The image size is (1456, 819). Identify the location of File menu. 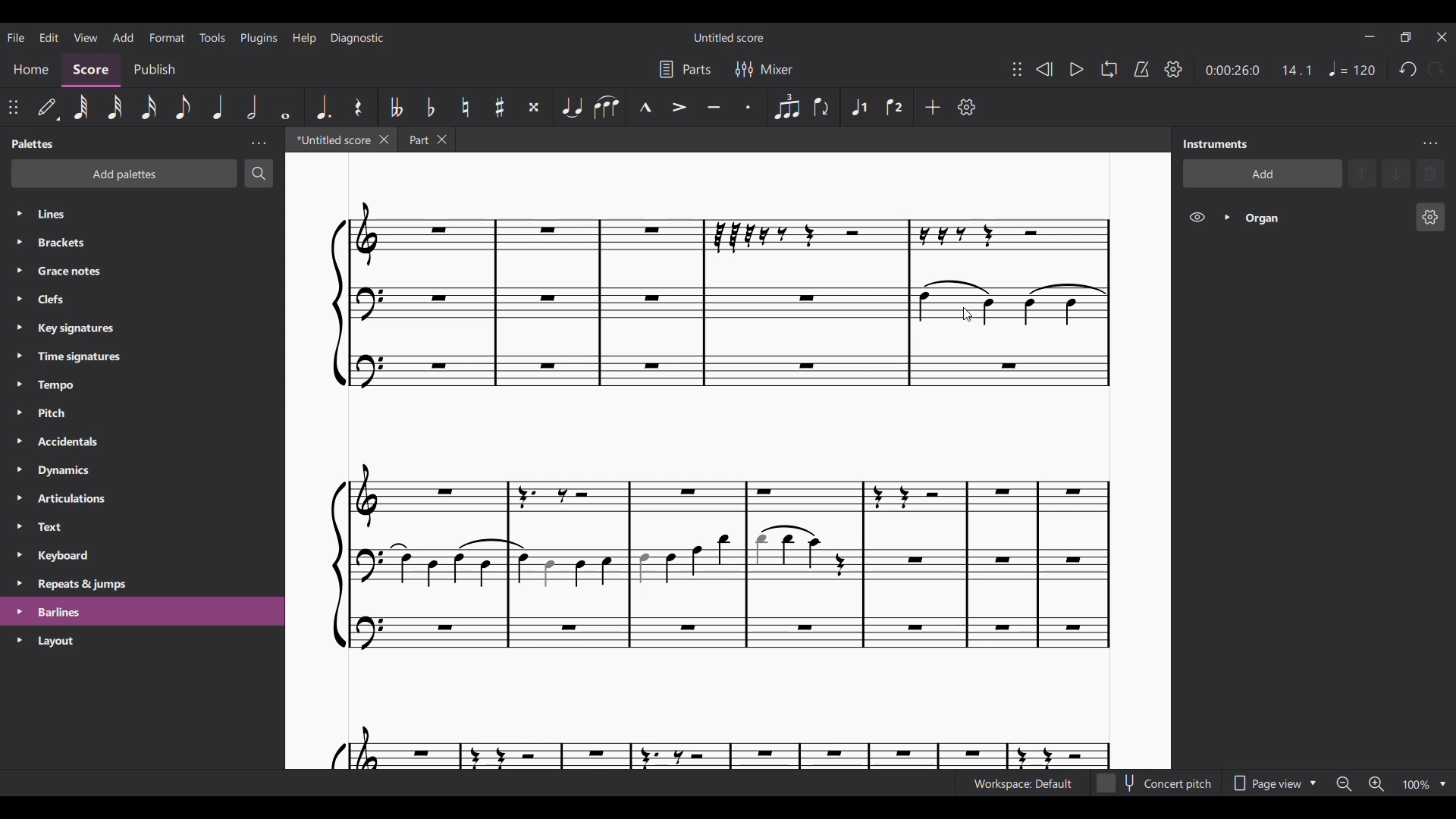
(16, 36).